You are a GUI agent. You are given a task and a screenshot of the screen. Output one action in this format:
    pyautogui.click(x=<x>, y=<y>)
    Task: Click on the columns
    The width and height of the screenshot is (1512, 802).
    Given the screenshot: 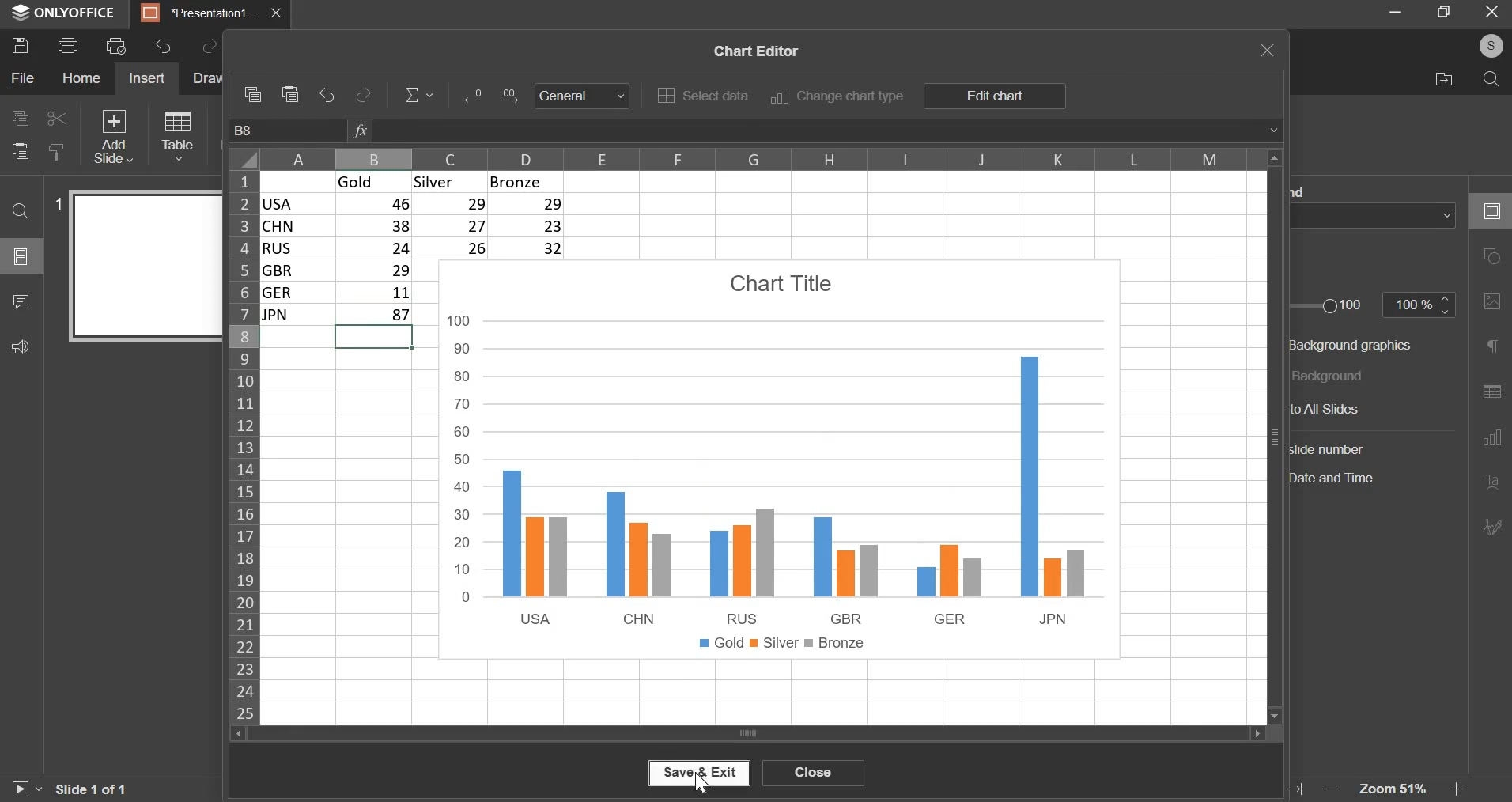 What is the action you would take?
    pyautogui.click(x=759, y=157)
    